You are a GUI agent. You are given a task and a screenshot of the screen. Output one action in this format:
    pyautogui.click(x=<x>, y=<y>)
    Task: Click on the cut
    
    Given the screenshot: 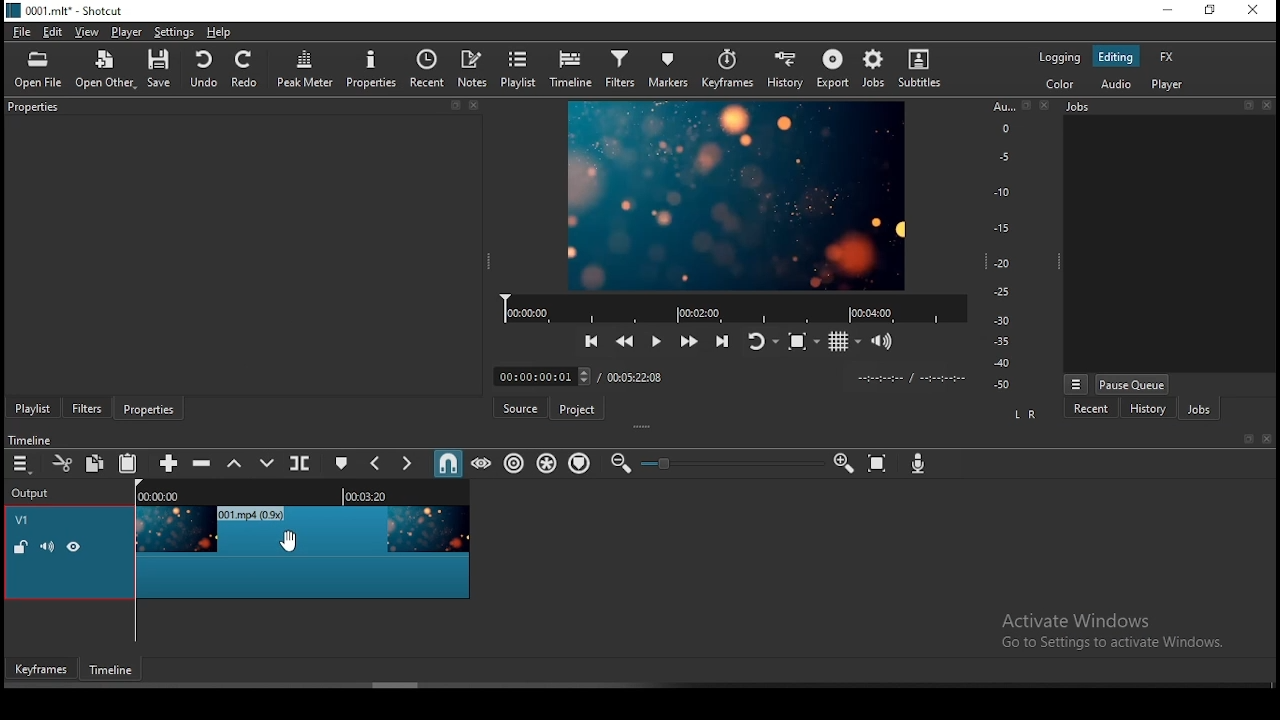 What is the action you would take?
    pyautogui.click(x=59, y=463)
    